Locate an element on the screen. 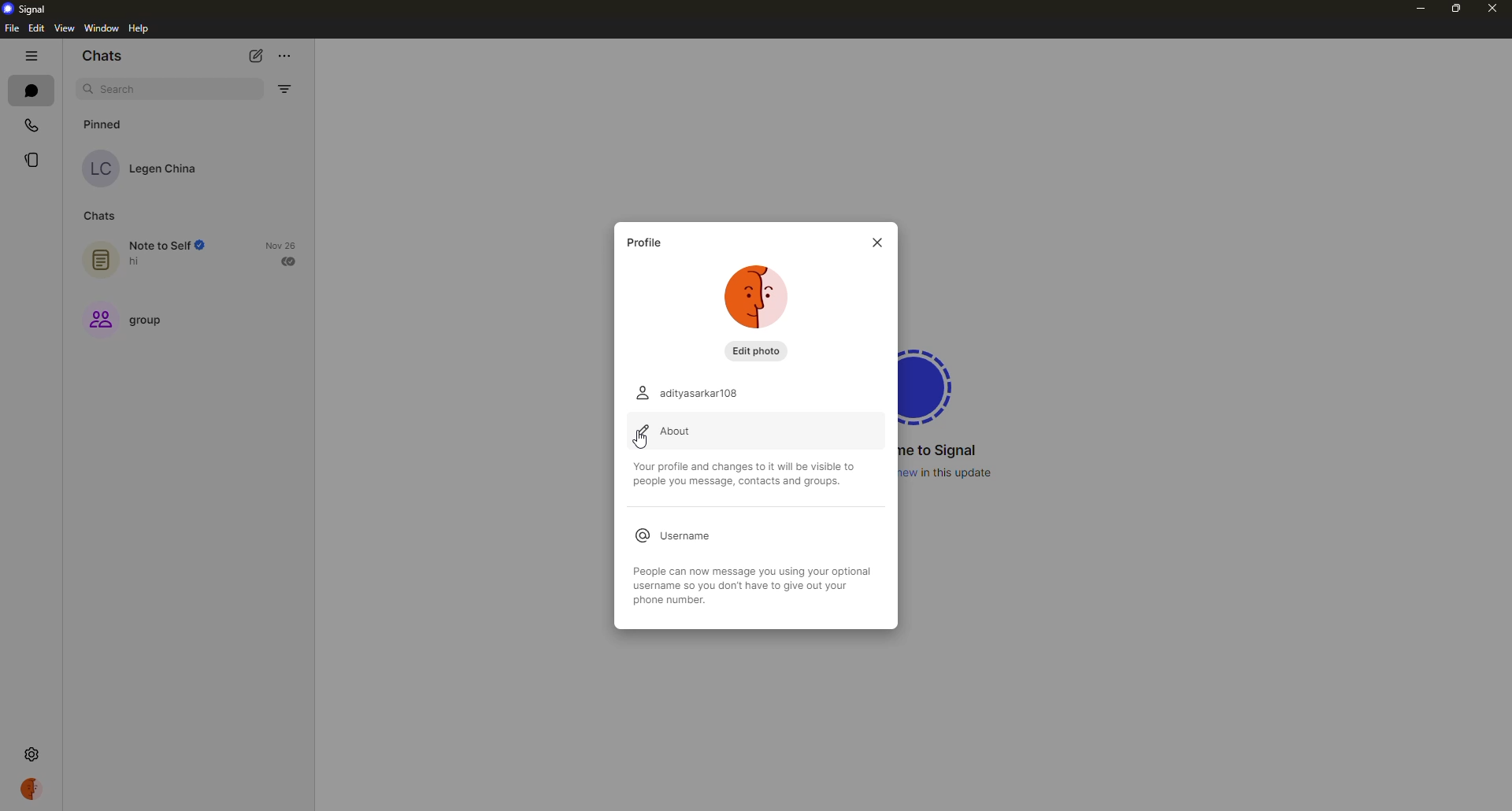 Image resolution: width=1512 pixels, height=811 pixels. cursor is located at coordinates (642, 441).